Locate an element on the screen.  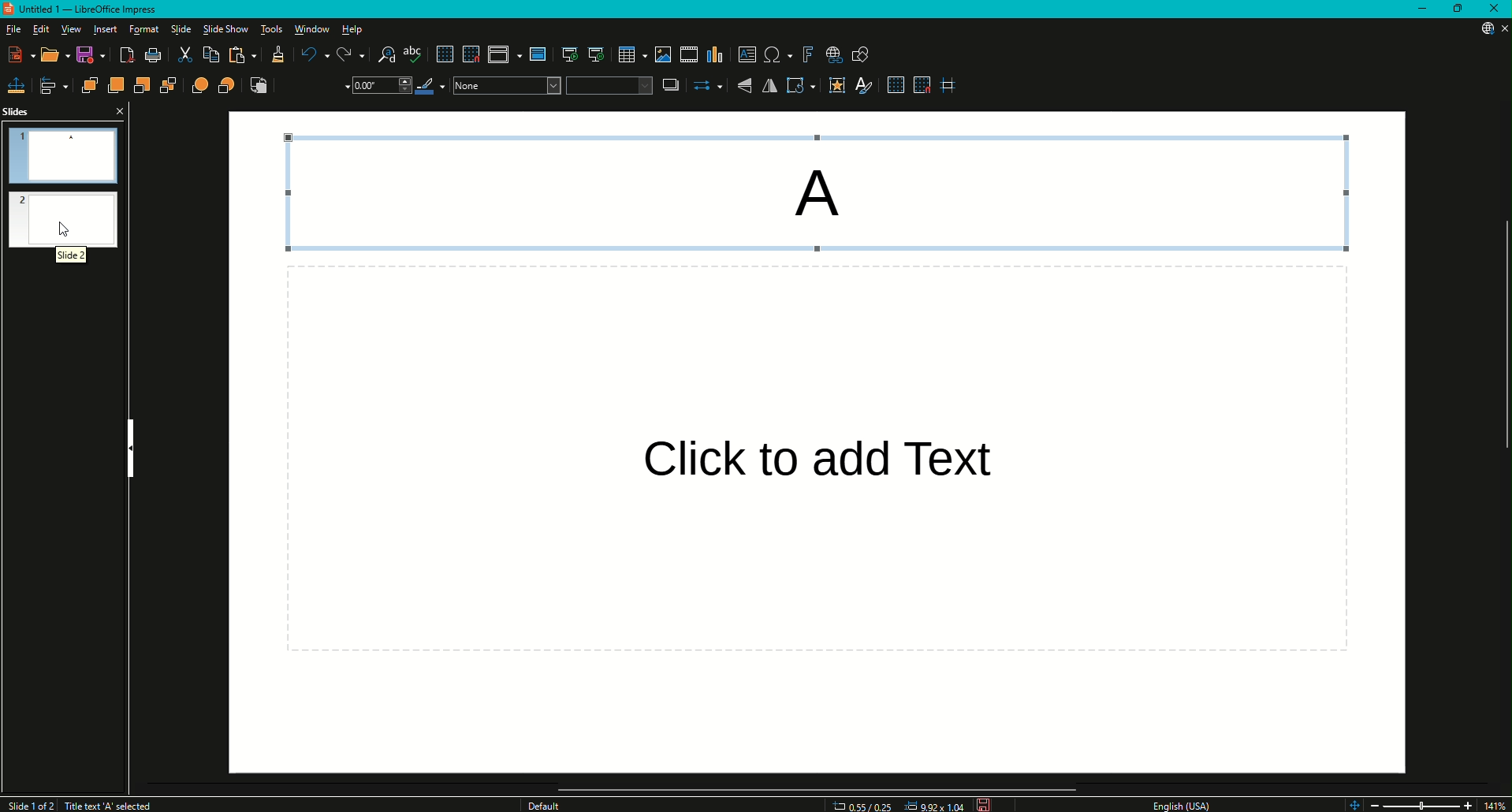
Restore is located at coordinates (1459, 9).